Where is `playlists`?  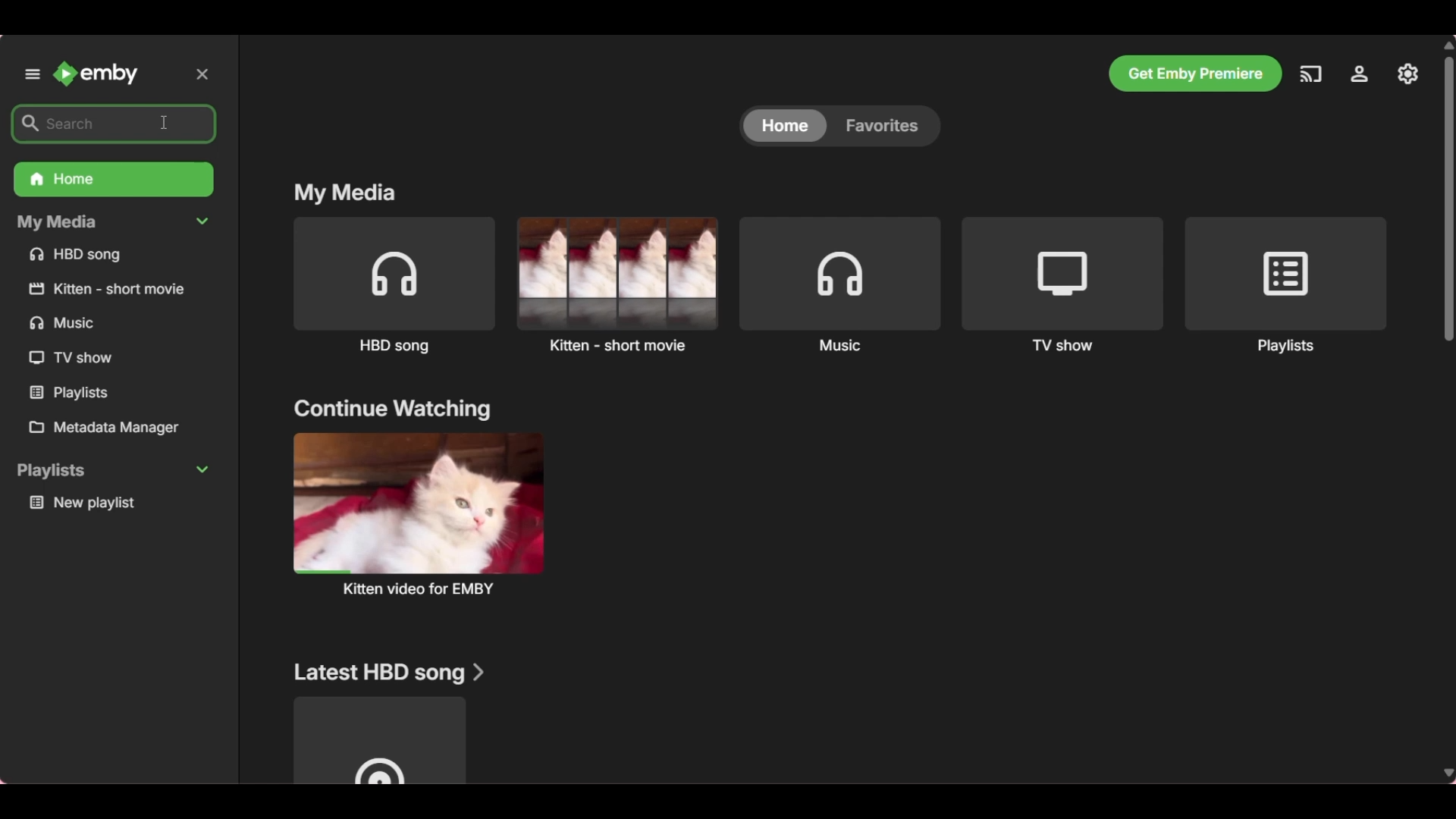 playlists is located at coordinates (114, 471).